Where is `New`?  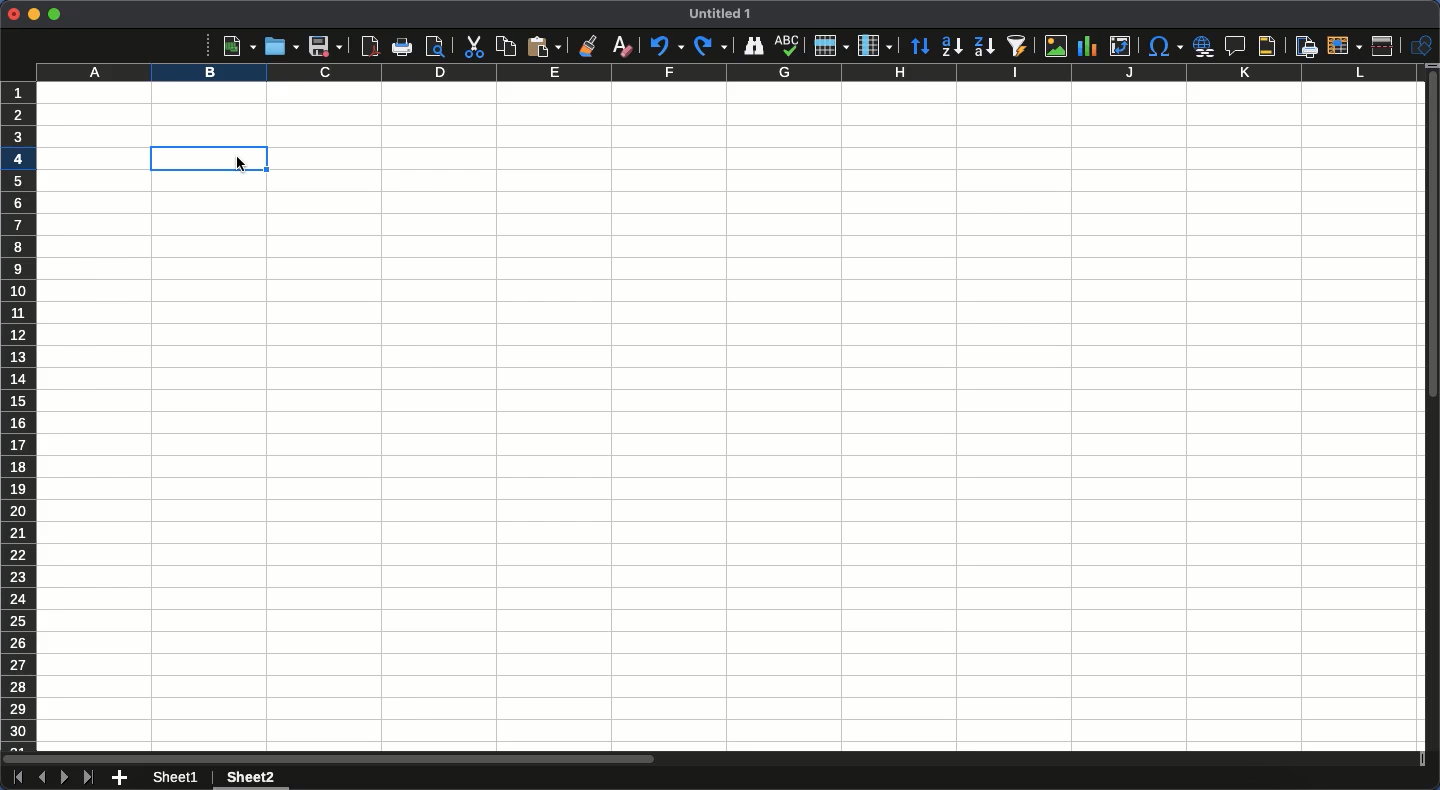 New is located at coordinates (239, 45).